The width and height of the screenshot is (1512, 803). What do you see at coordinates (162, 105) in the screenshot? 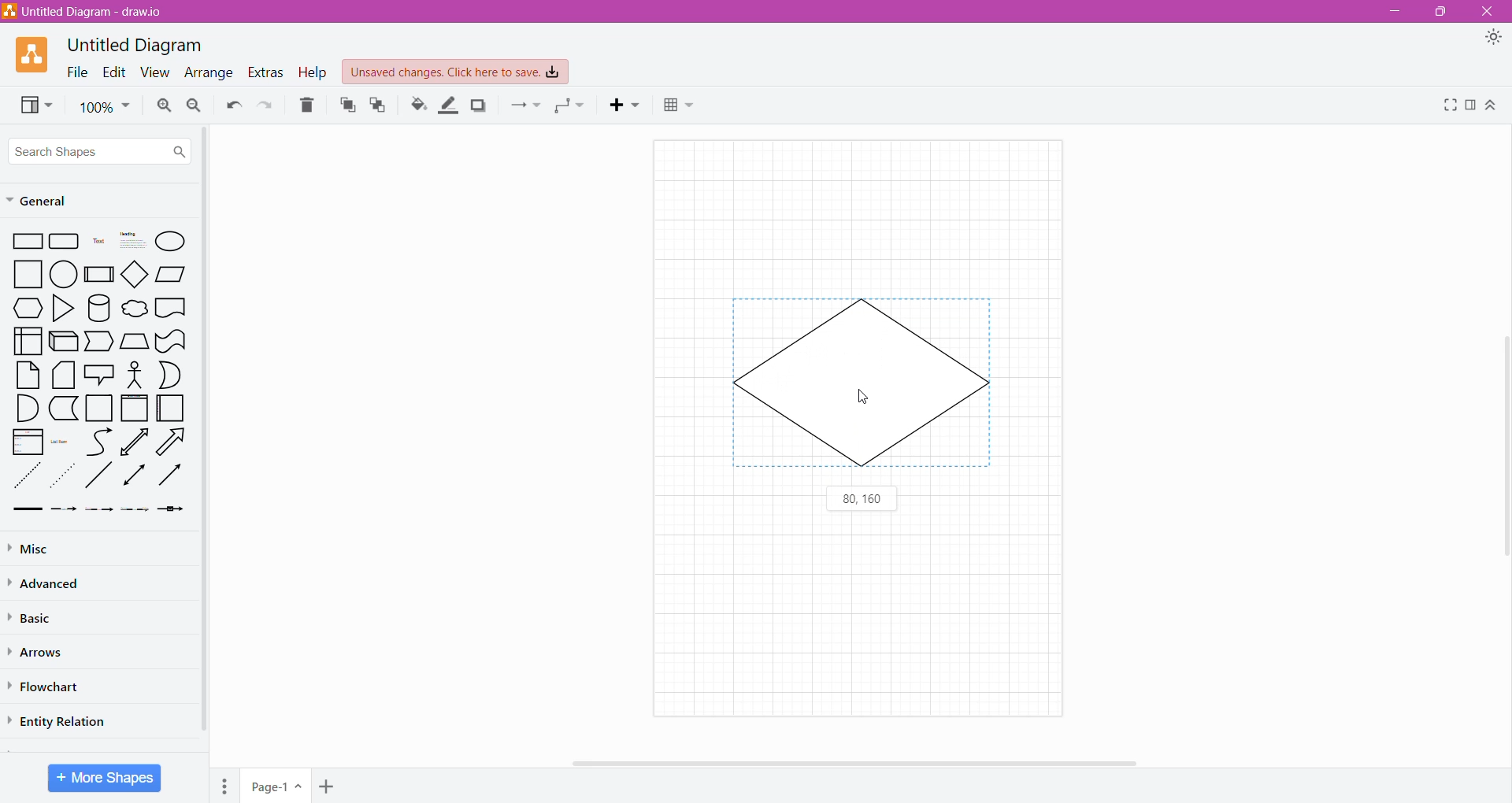
I see `Zoom In` at bounding box center [162, 105].